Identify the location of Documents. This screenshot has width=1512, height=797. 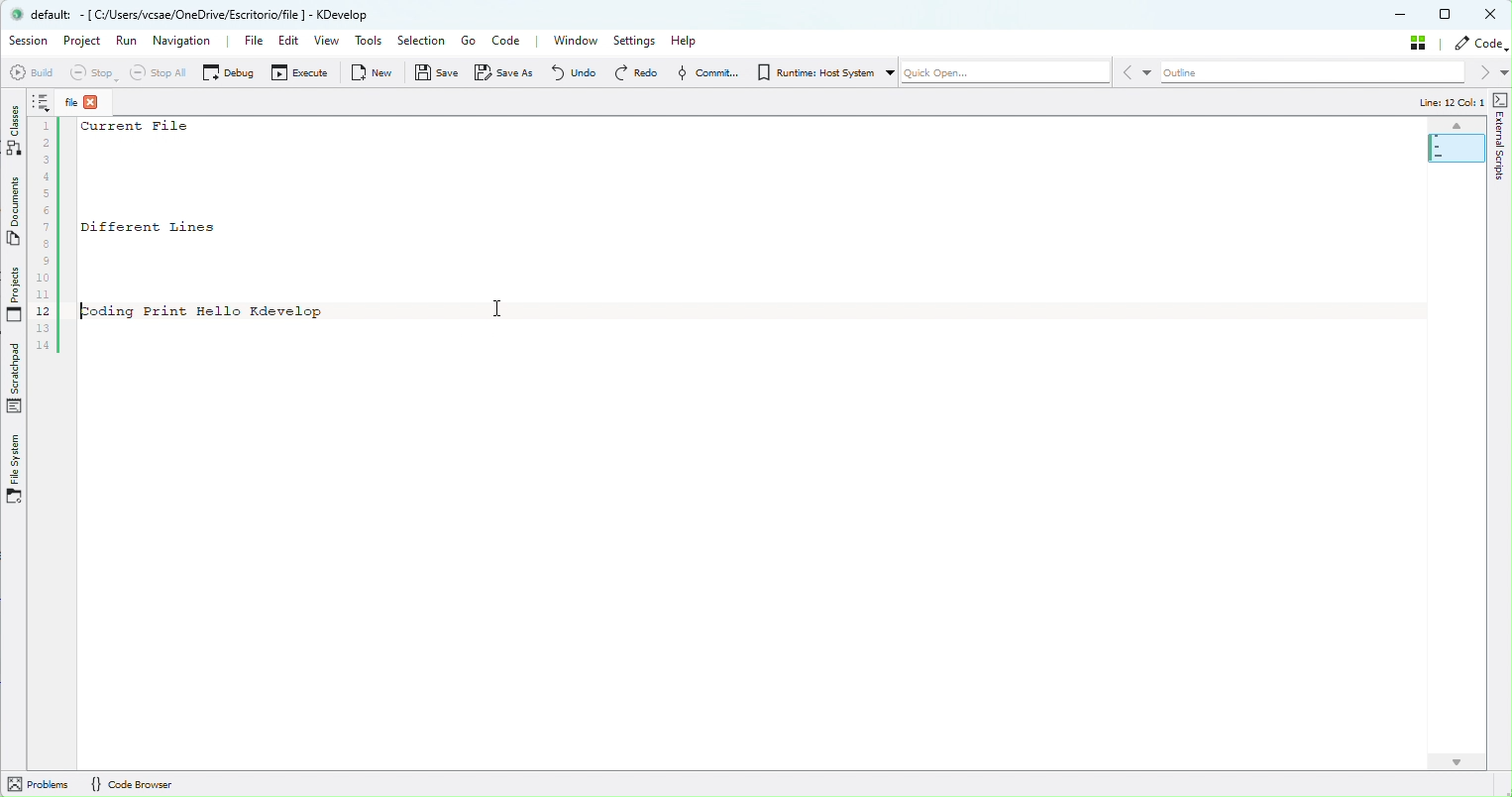
(16, 213).